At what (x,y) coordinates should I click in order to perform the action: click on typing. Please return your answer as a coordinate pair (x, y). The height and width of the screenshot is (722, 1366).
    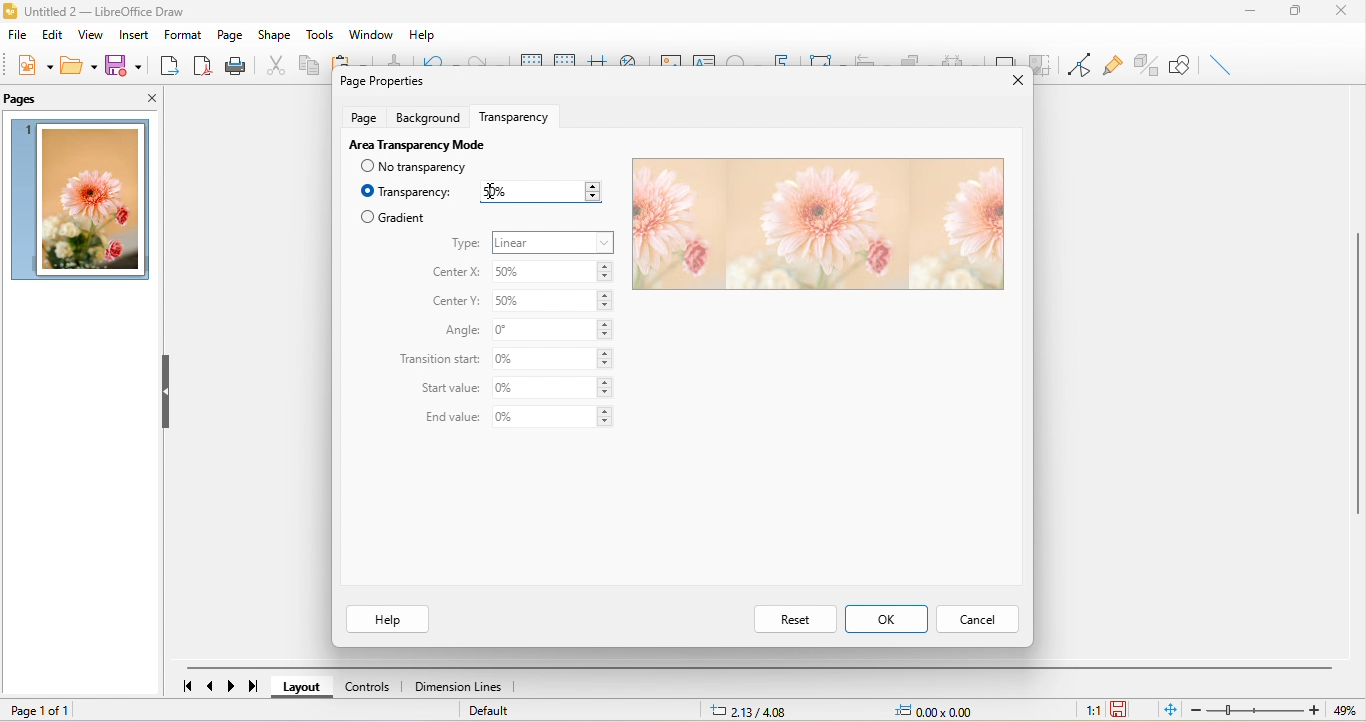
    Looking at the image, I should click on (537, 193).